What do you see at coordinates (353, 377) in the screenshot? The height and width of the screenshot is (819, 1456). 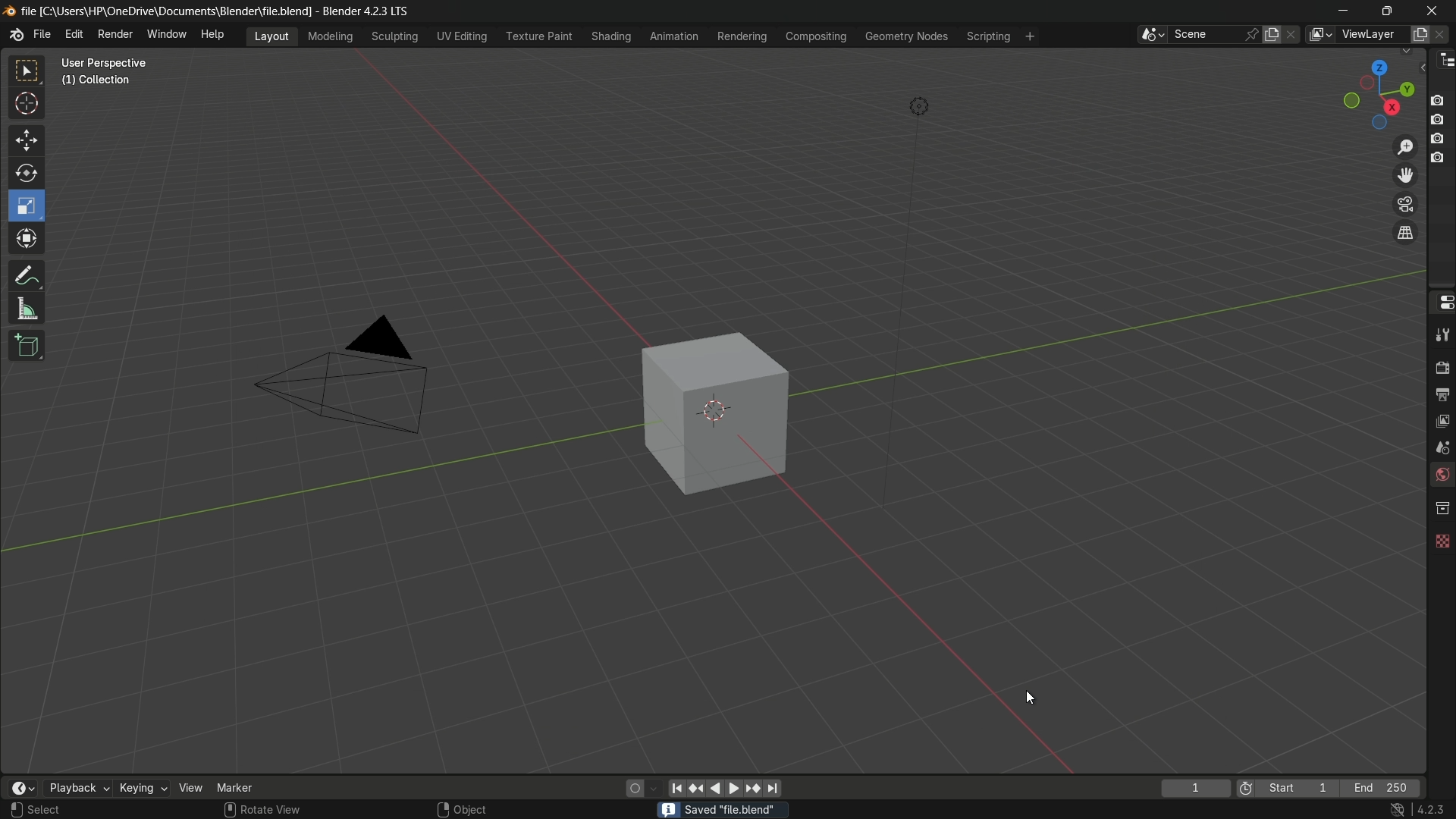 I see `camera` at bounding box center [353, 377].